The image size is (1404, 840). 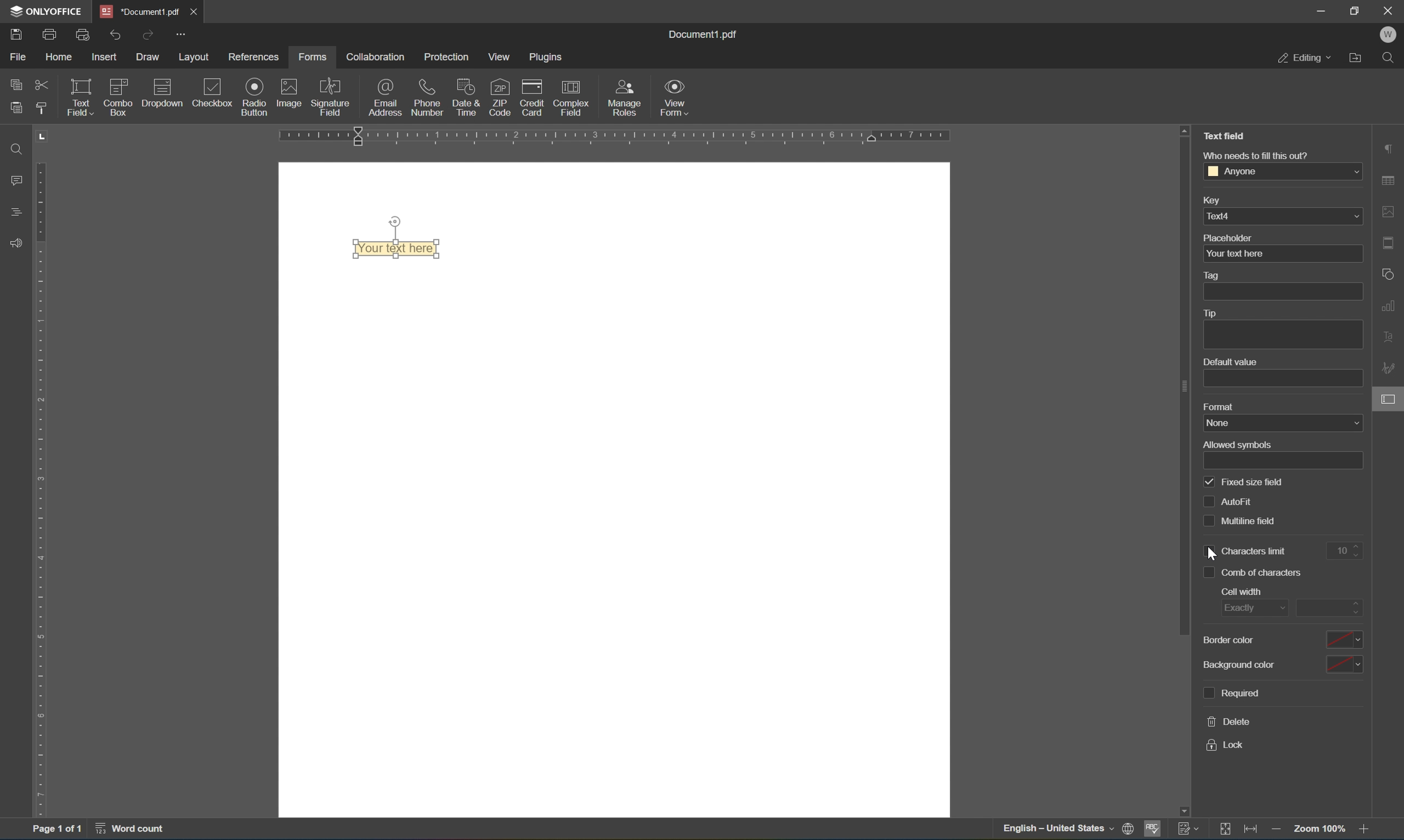 What do you see at coordinates (1282, 217) in the screenshot?
I see `text4` at bounding box center [1282, 217].